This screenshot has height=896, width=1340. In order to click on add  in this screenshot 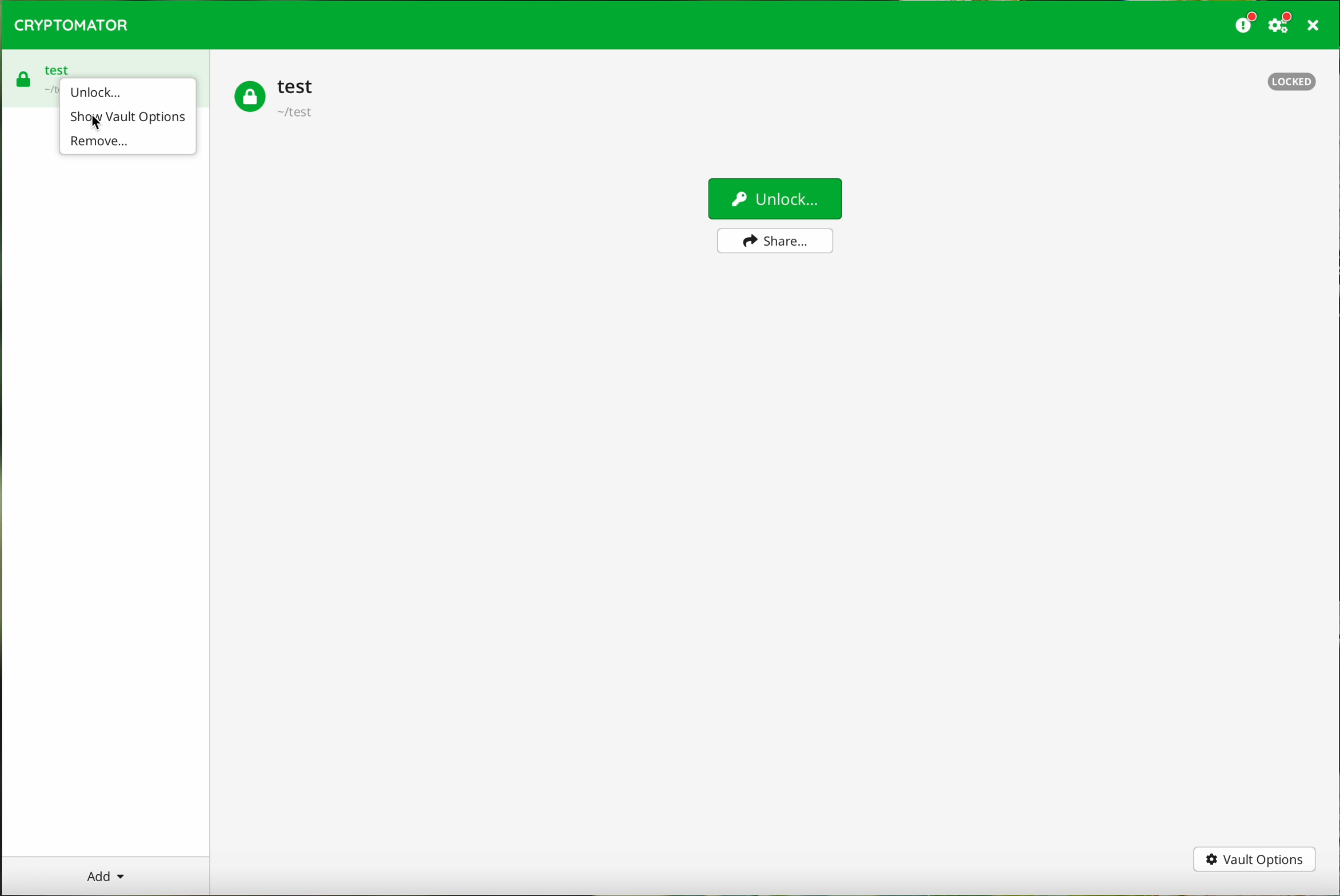, I will do `click(105, 875)`.